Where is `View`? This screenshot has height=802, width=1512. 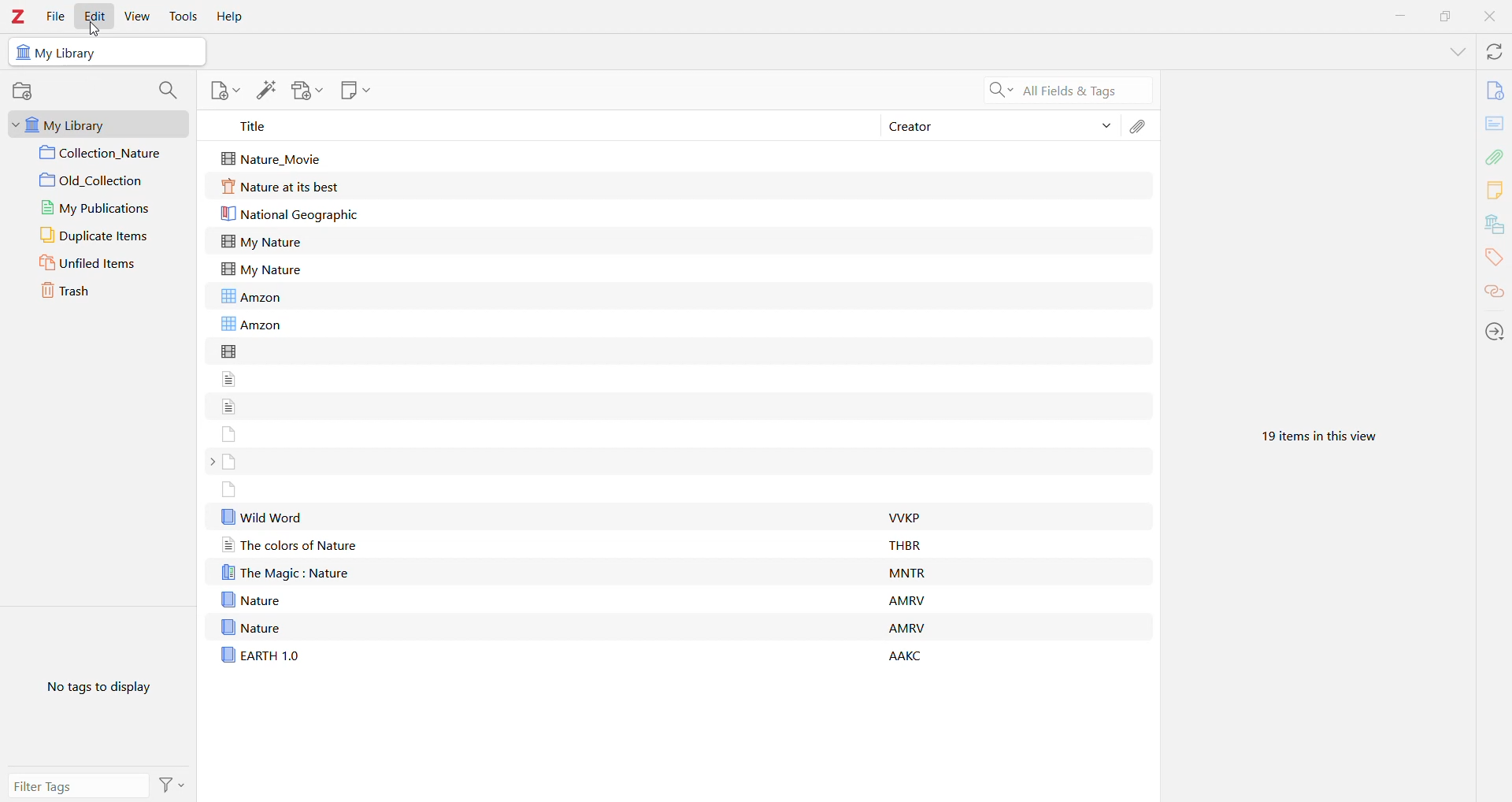
View is located at coordinates (137, 16).